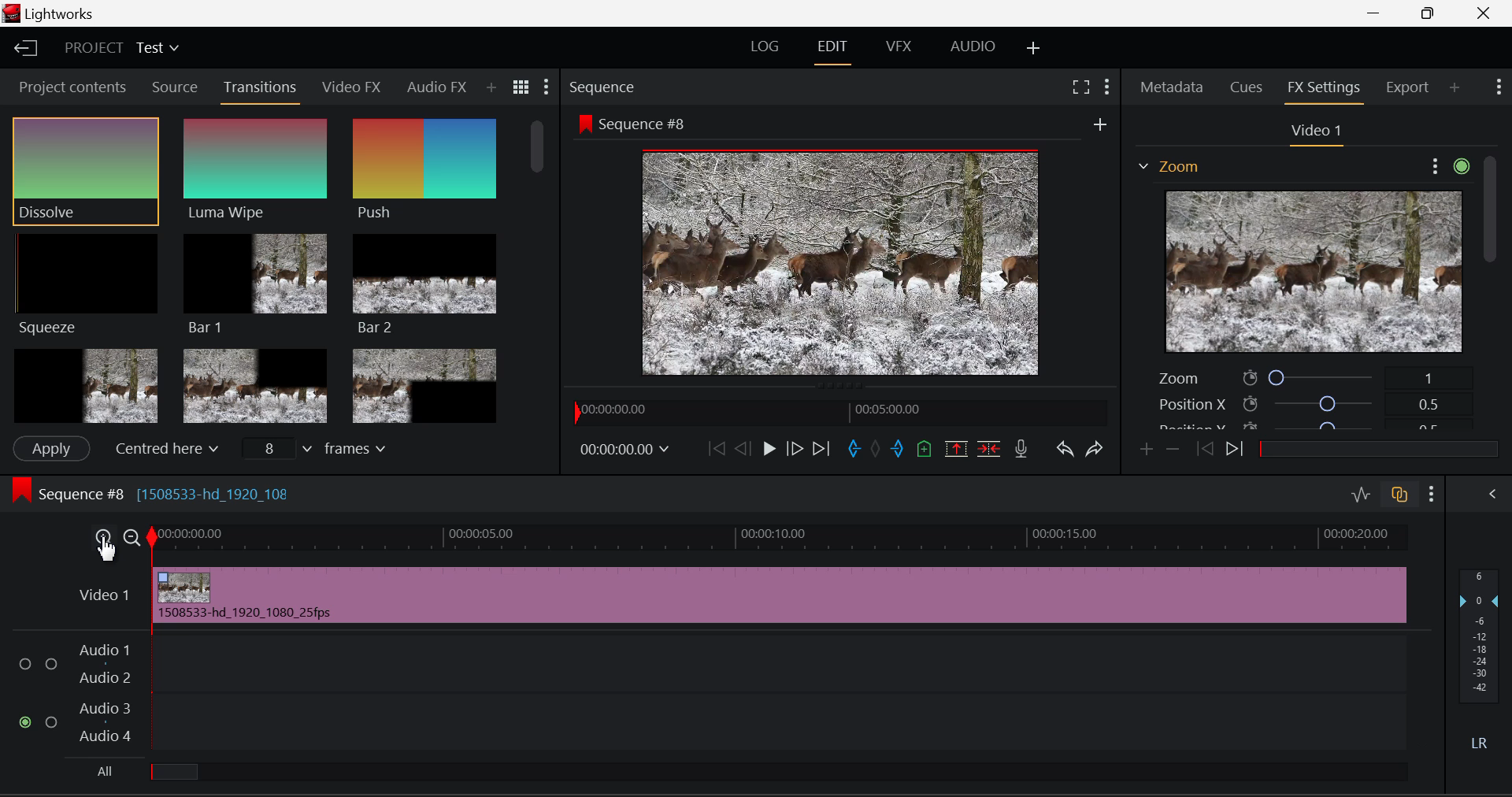  I want to click on Show Settings, so click(1104, 86).